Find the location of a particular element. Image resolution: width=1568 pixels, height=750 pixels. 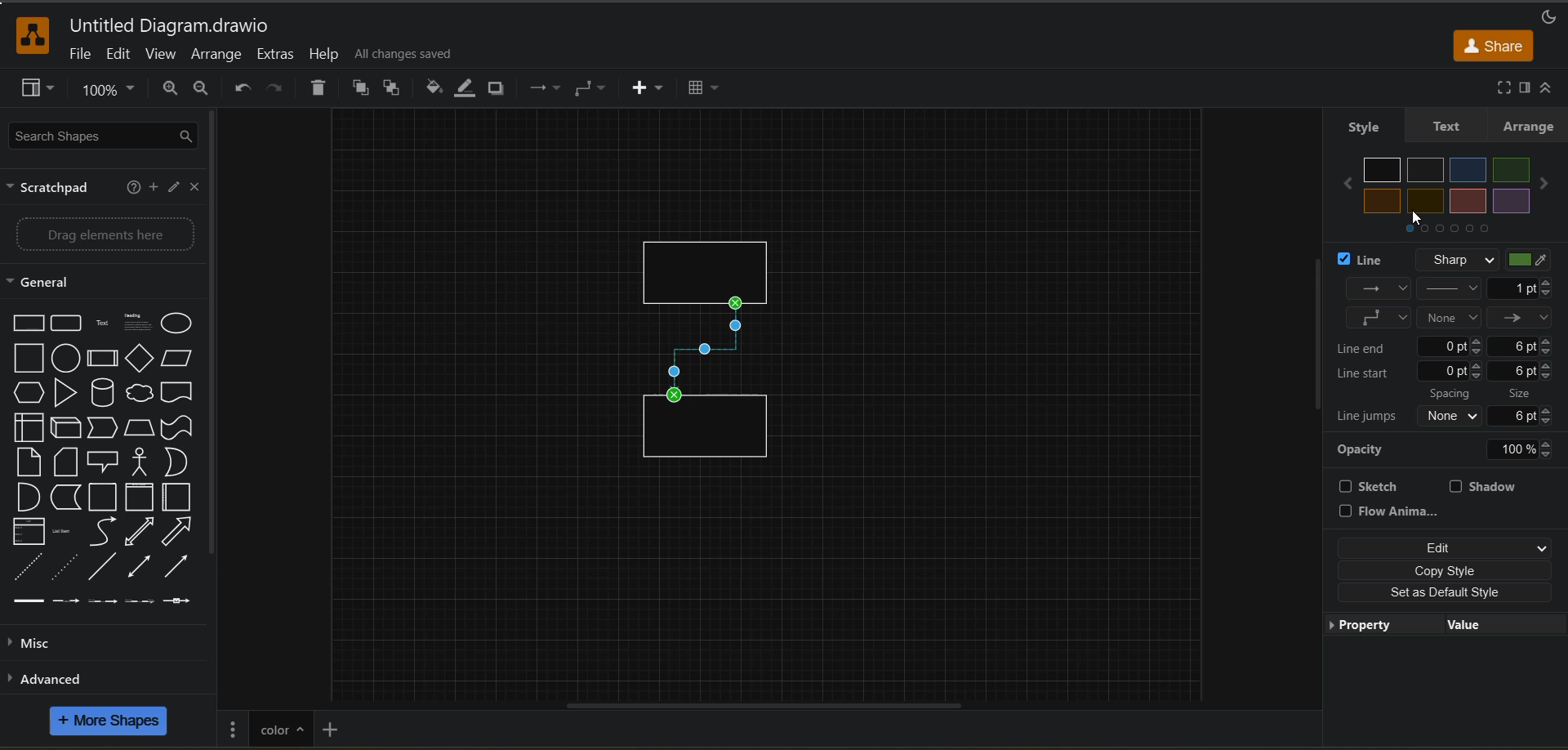

property is located at coordinates (1367, 627).